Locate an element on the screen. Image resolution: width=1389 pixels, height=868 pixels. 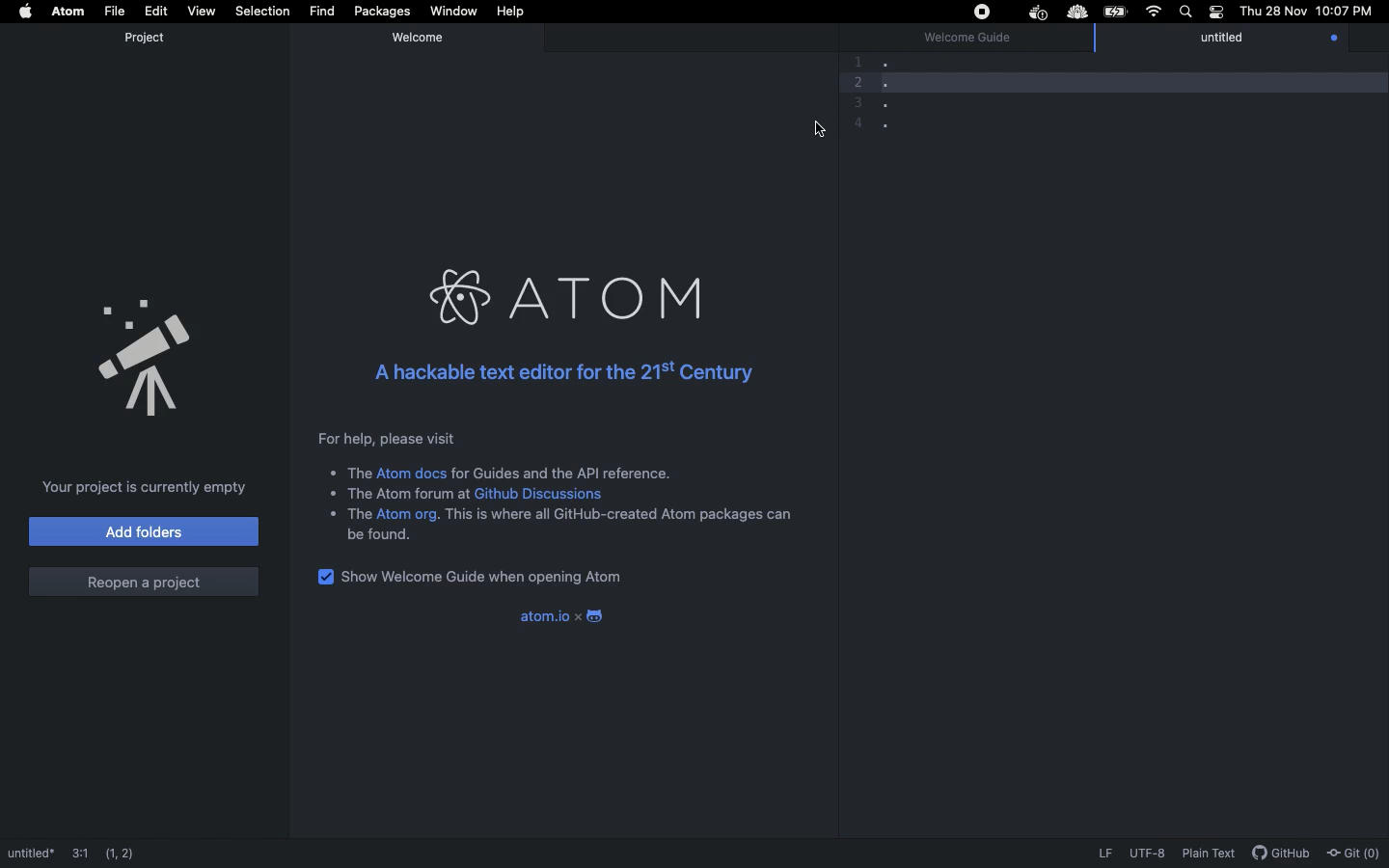
Logo is located at coordinates (593, 613).